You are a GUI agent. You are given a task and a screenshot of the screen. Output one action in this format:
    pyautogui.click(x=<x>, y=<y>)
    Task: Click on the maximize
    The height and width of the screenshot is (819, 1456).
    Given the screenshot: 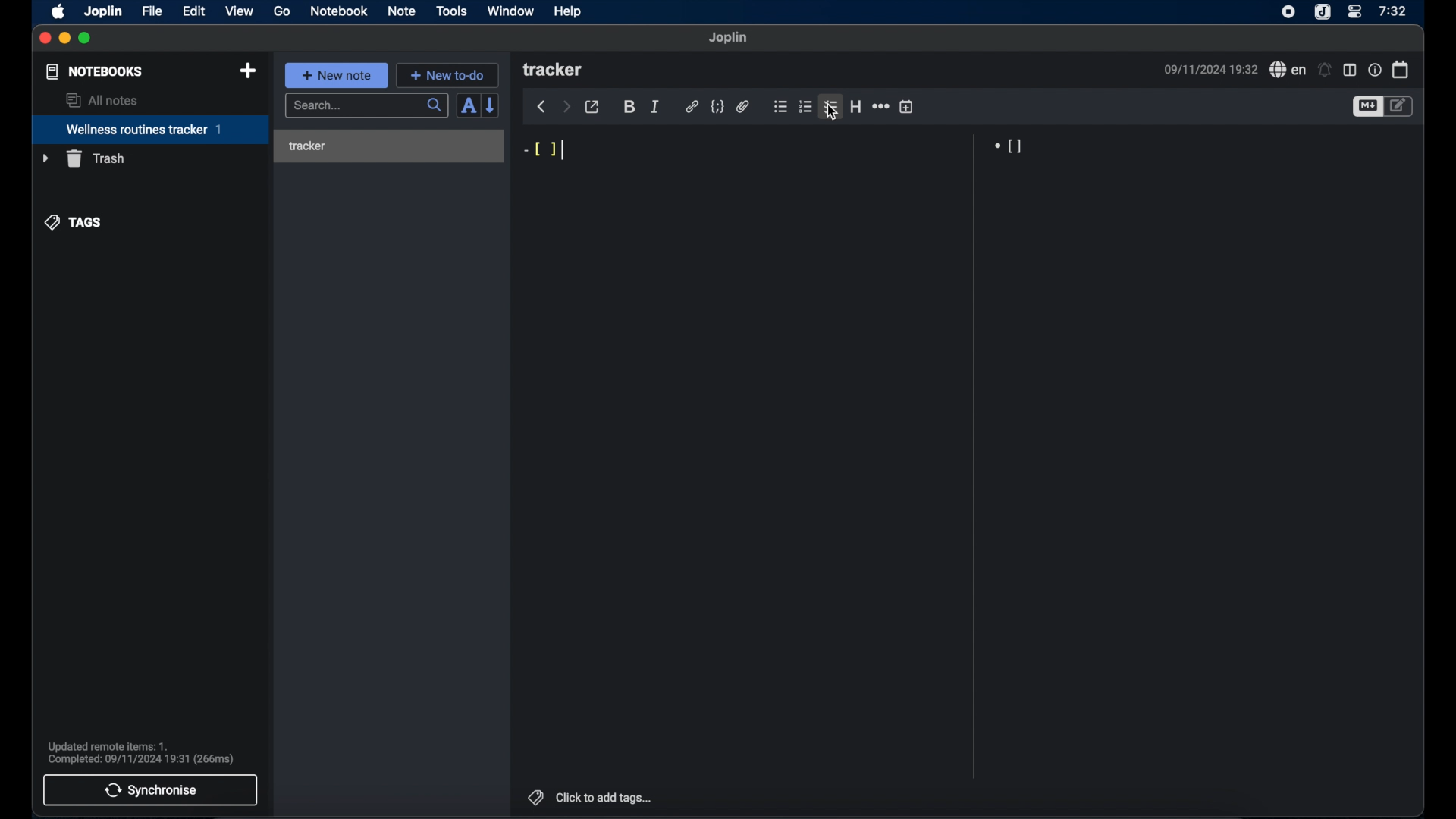 What is the action you would take?
    pyautogui.click(x=86, y=39)
    